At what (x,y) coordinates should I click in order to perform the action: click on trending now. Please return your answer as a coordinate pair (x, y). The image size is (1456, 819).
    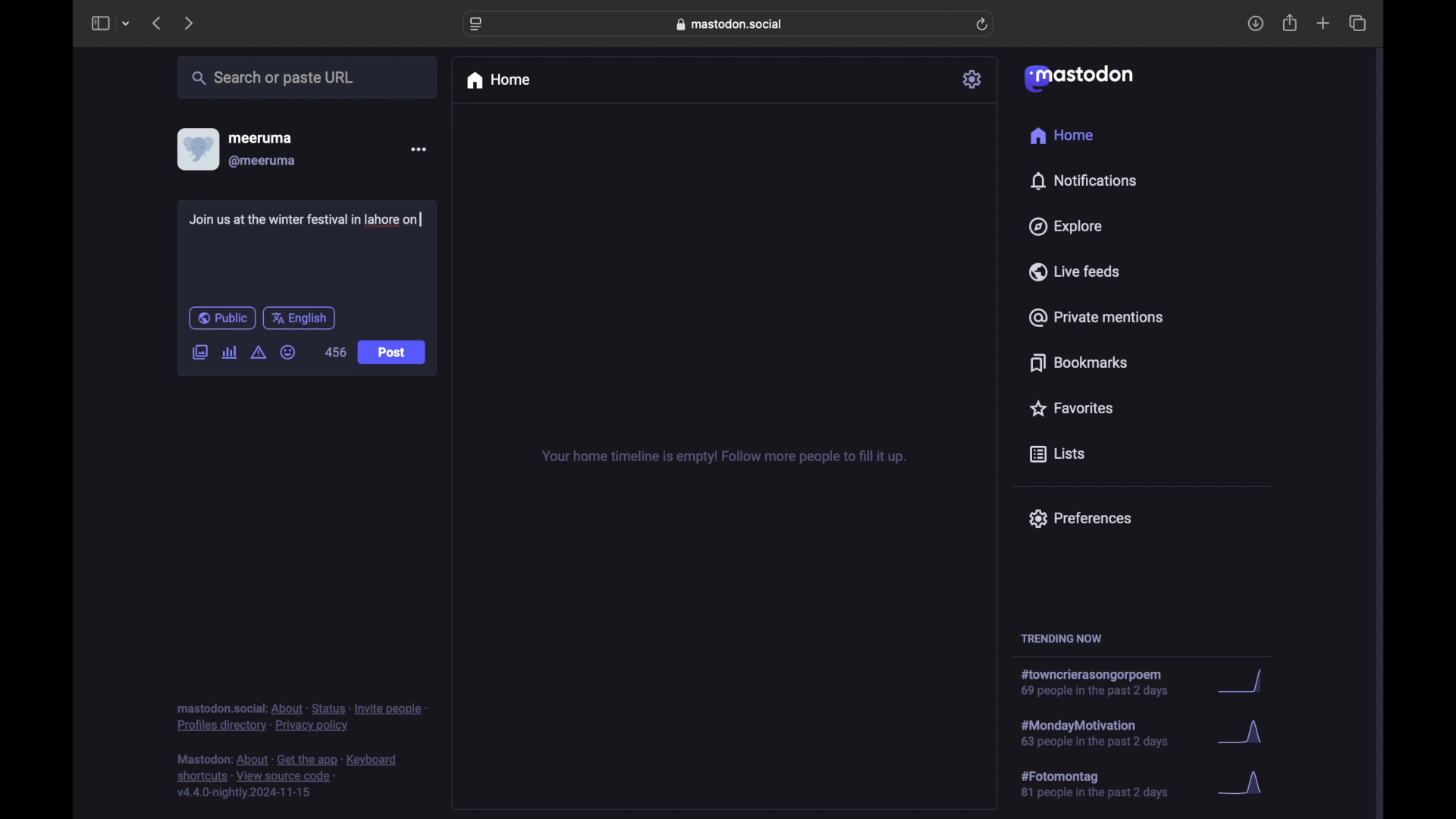
    Looking at the image, I should click on (1061, 639).